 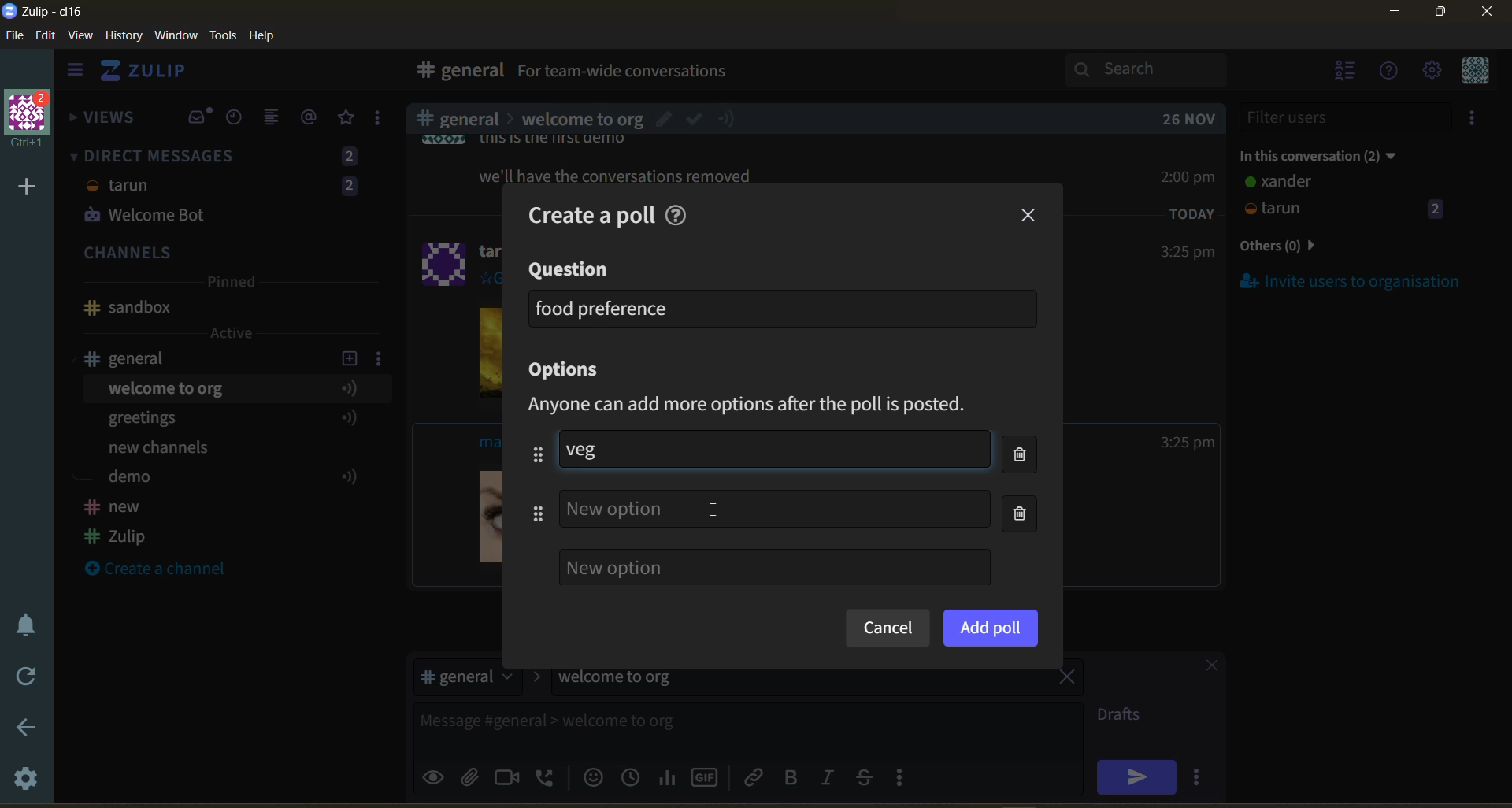 I want to click on question, so click(x=571, y=270).